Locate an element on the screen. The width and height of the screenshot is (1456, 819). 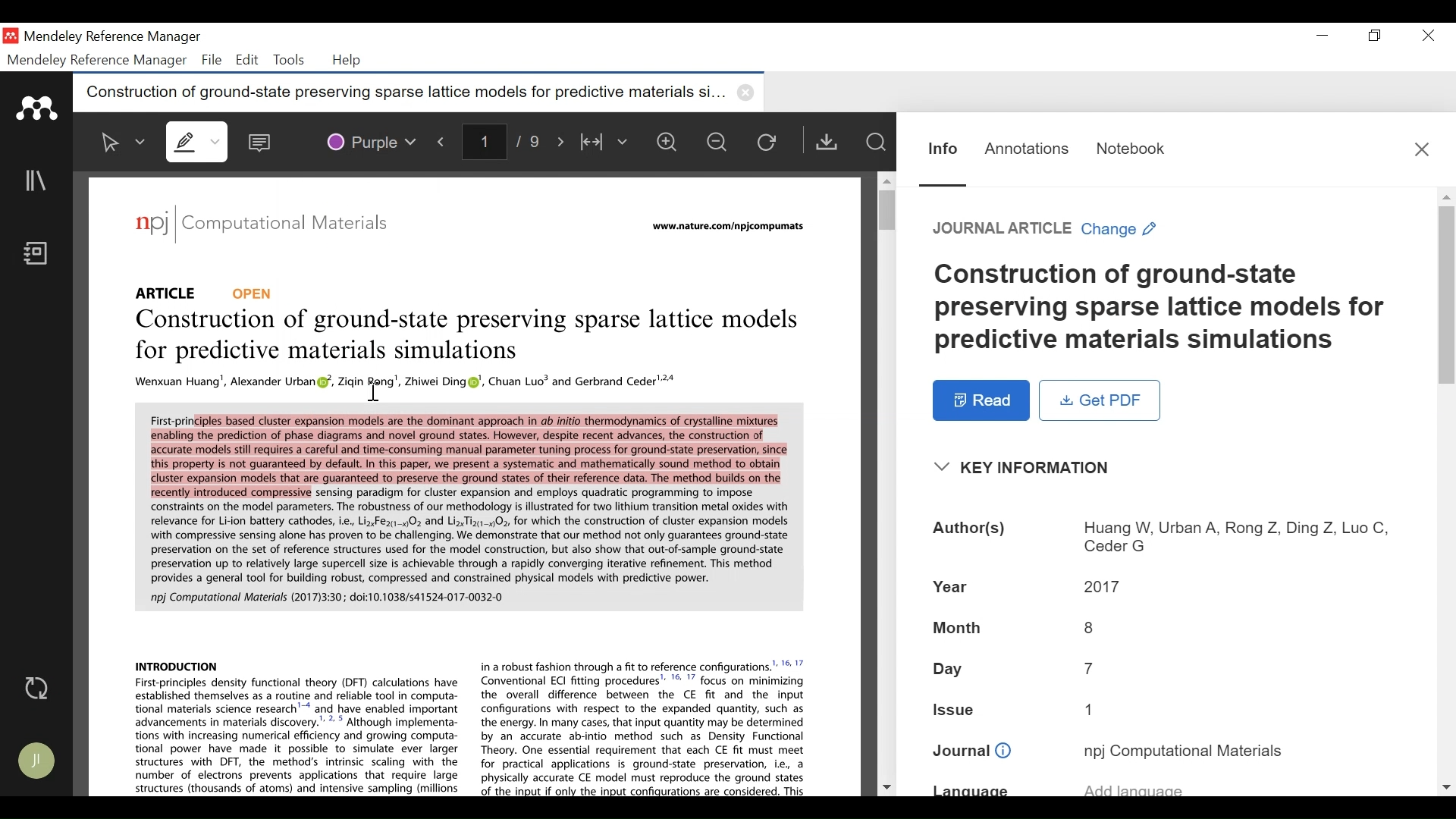
Open is located at coordinates (256, 292).